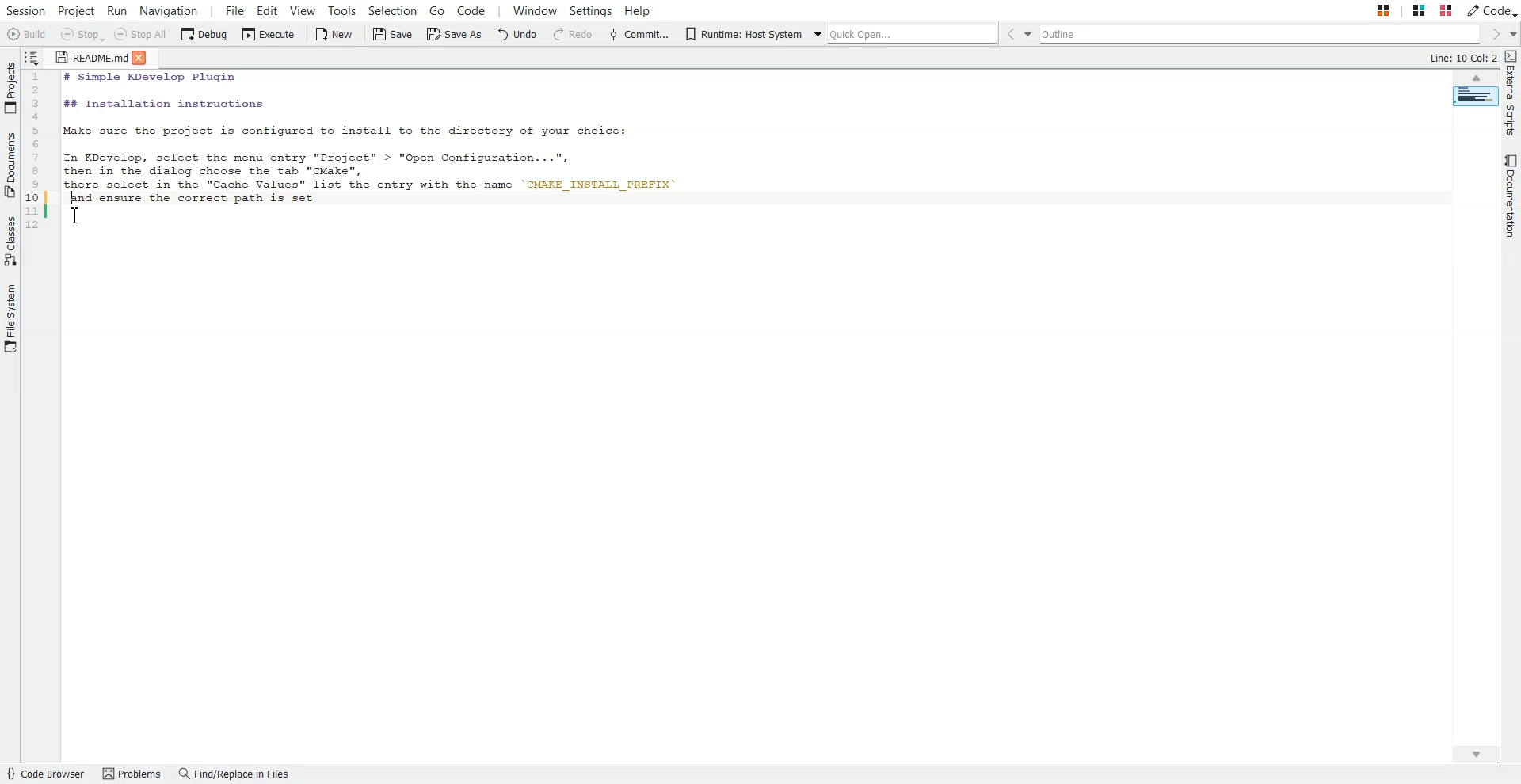 The width and height of the screenshot is (1521, 784). What do you see at coordinates (638, 10) in the screenshot?
I see `Help` at bounding box center [638, 10].